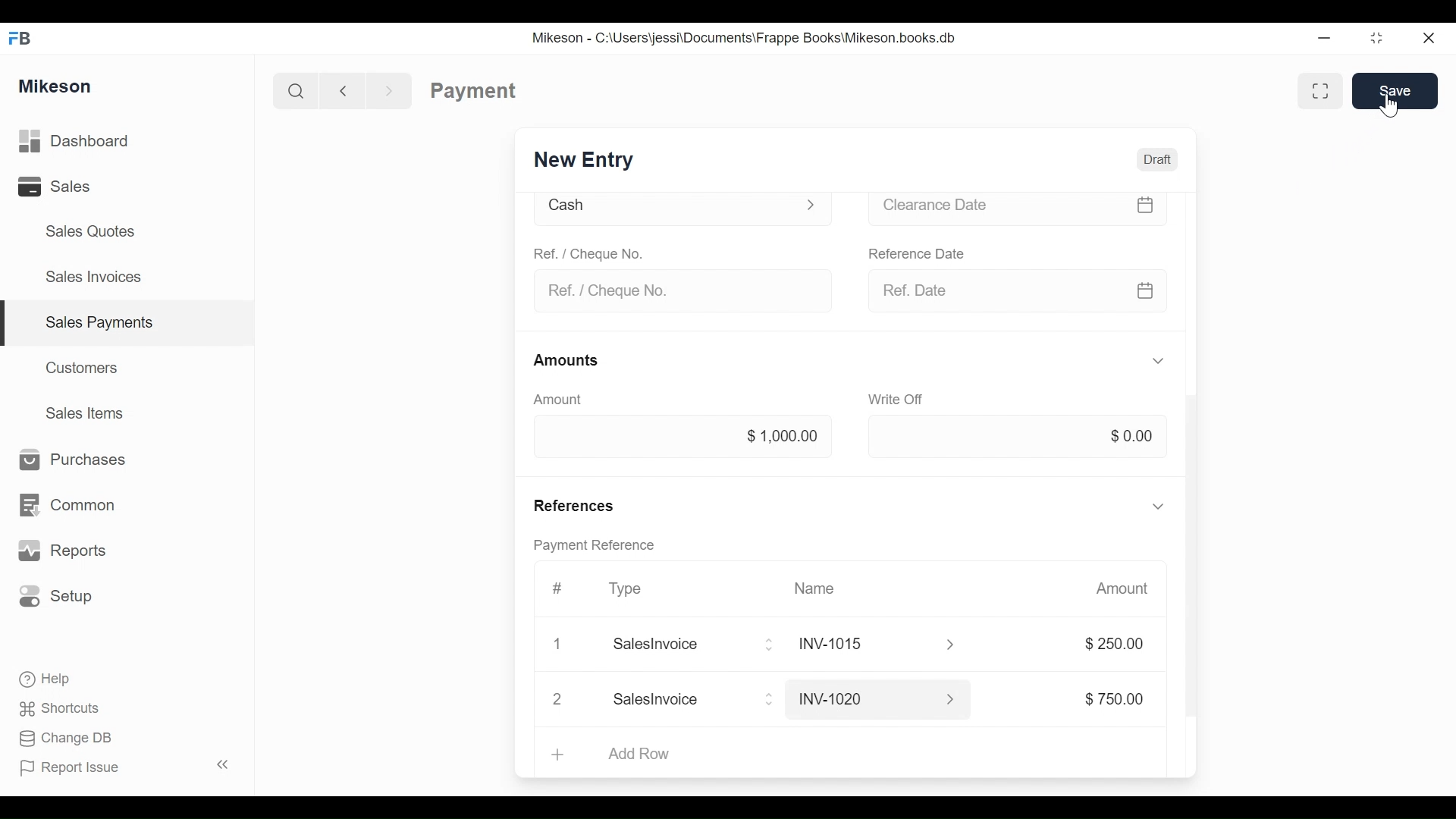 The height and width of the screenshot is (819, 1456). I want to click on Payment, so click(472, 89).